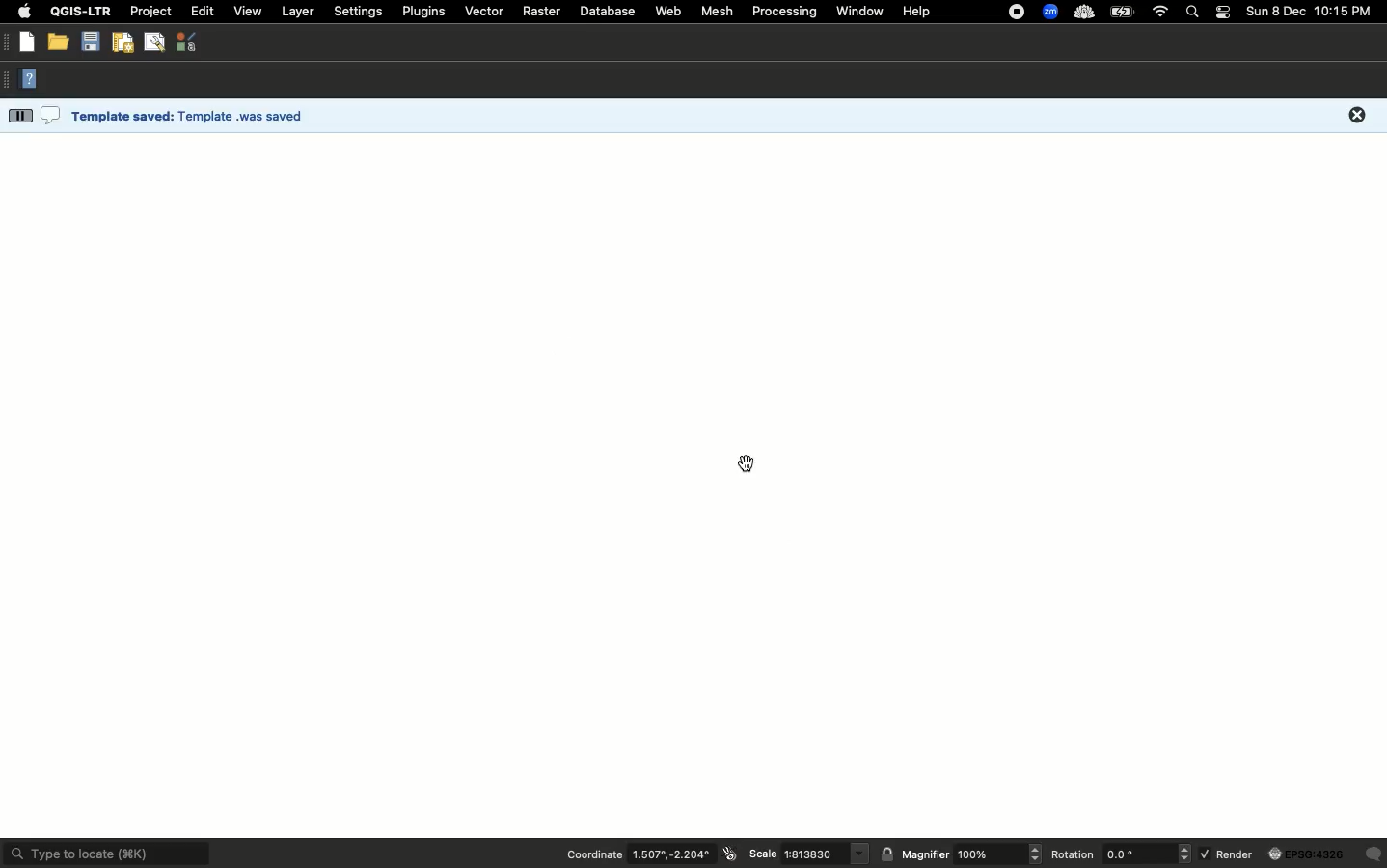  What do you see at coordinates (121, 46) in the screenshot?
I see `New print layout` at bounding box center [121, 46].